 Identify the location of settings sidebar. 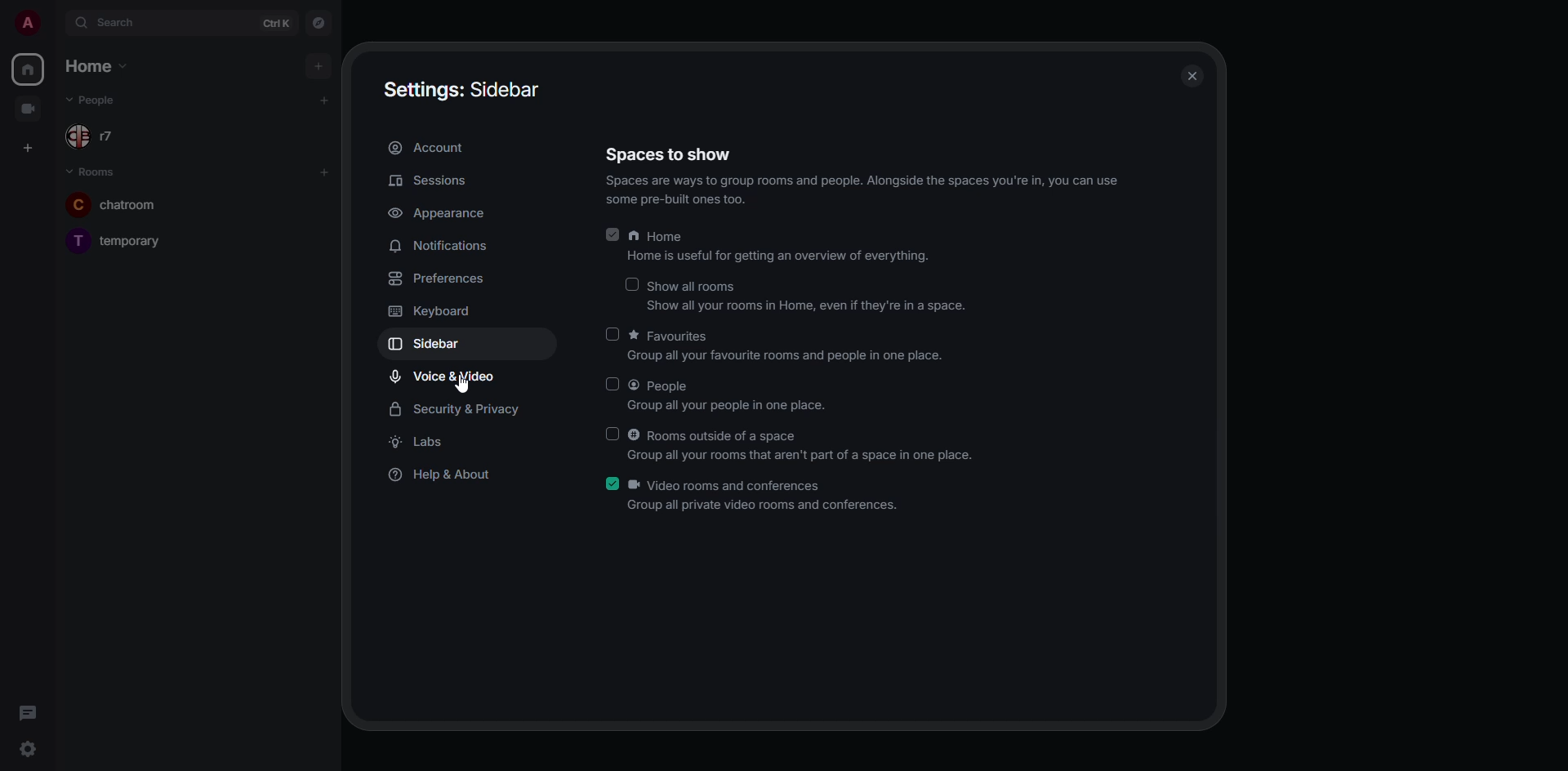
(458, 87).